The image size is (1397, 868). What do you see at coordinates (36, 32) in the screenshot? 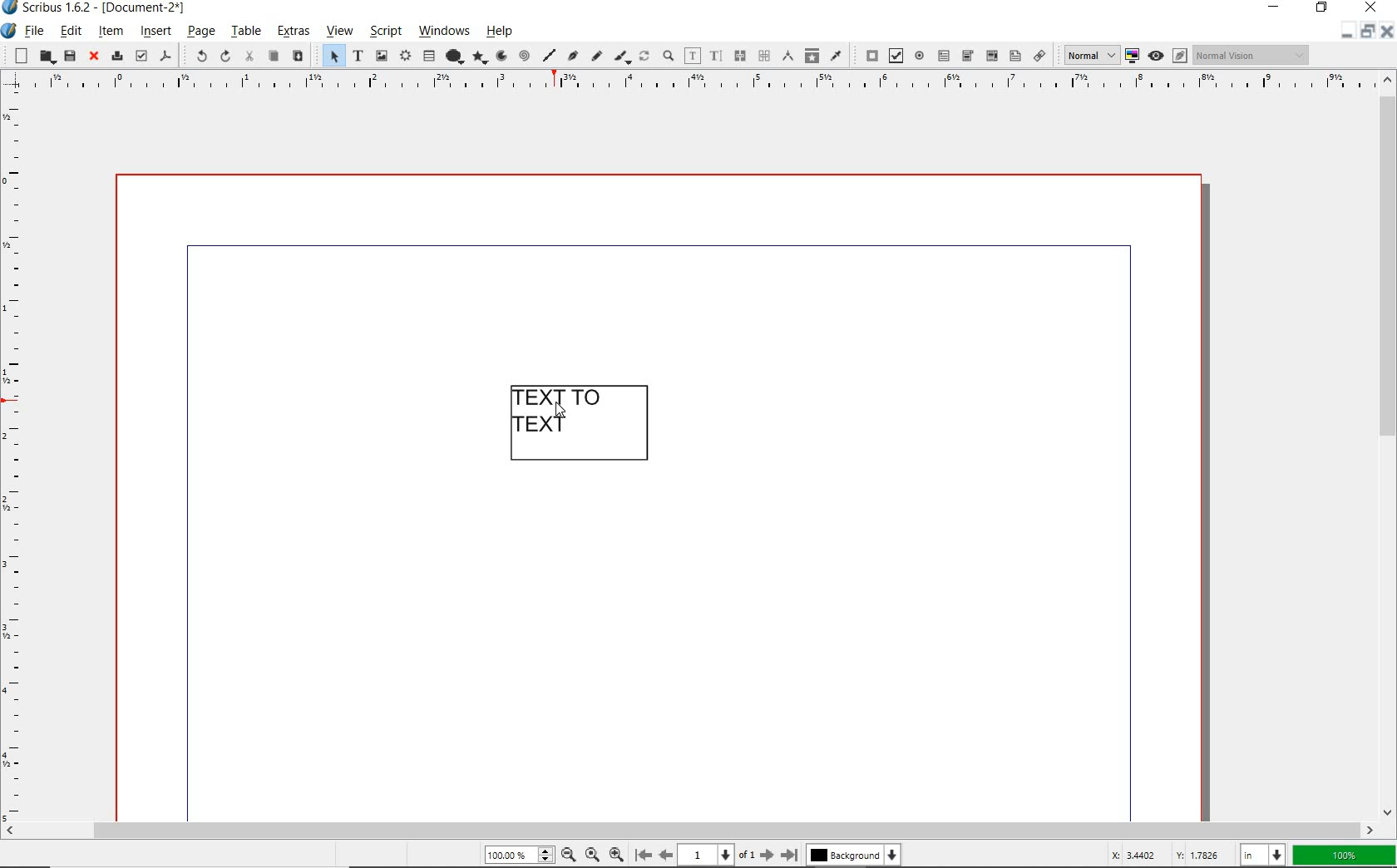
I see `file` at bounding box center [36, 32].